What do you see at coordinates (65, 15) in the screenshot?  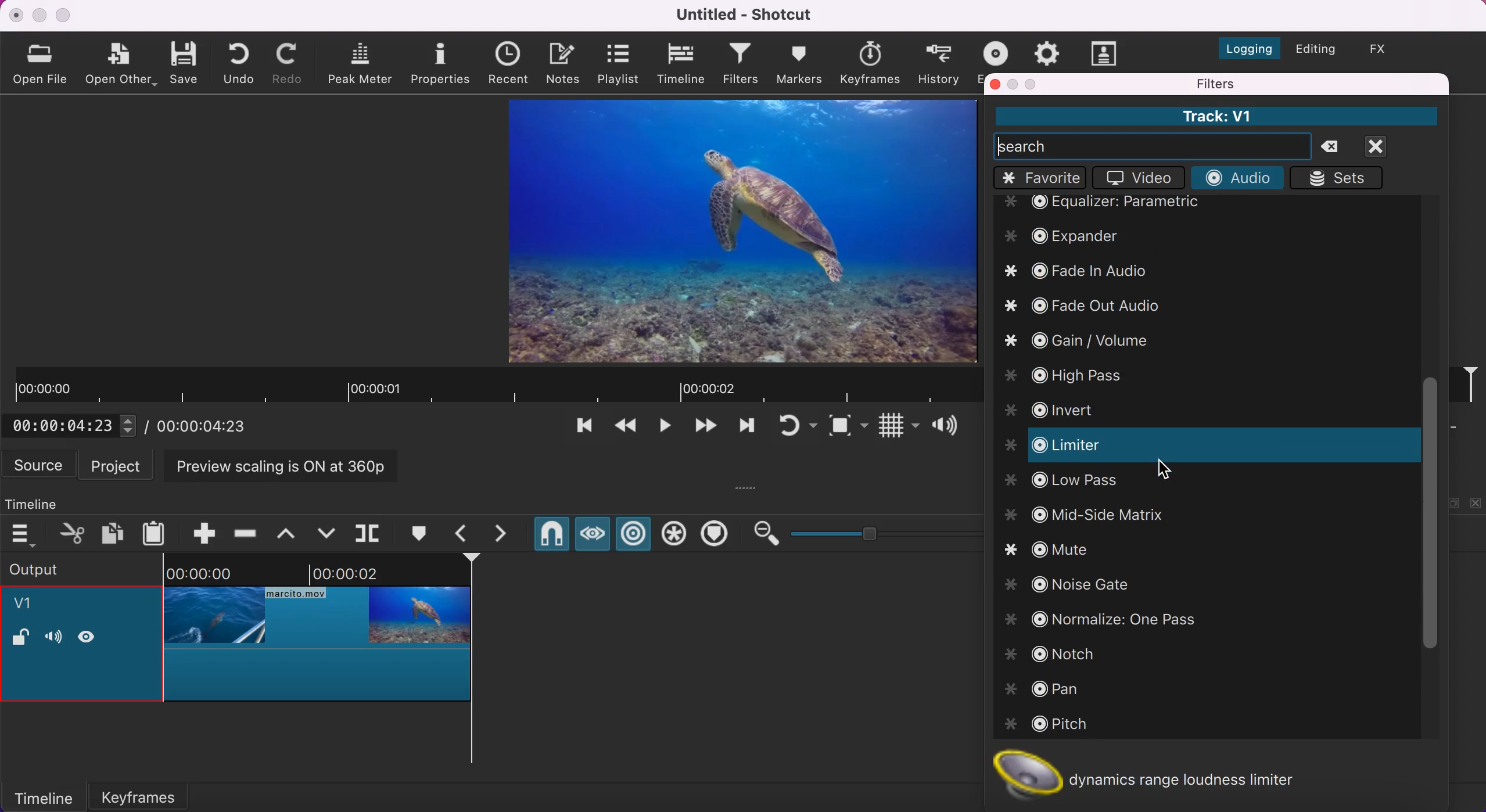 I see `maximize` at bounding box center [65, 15].